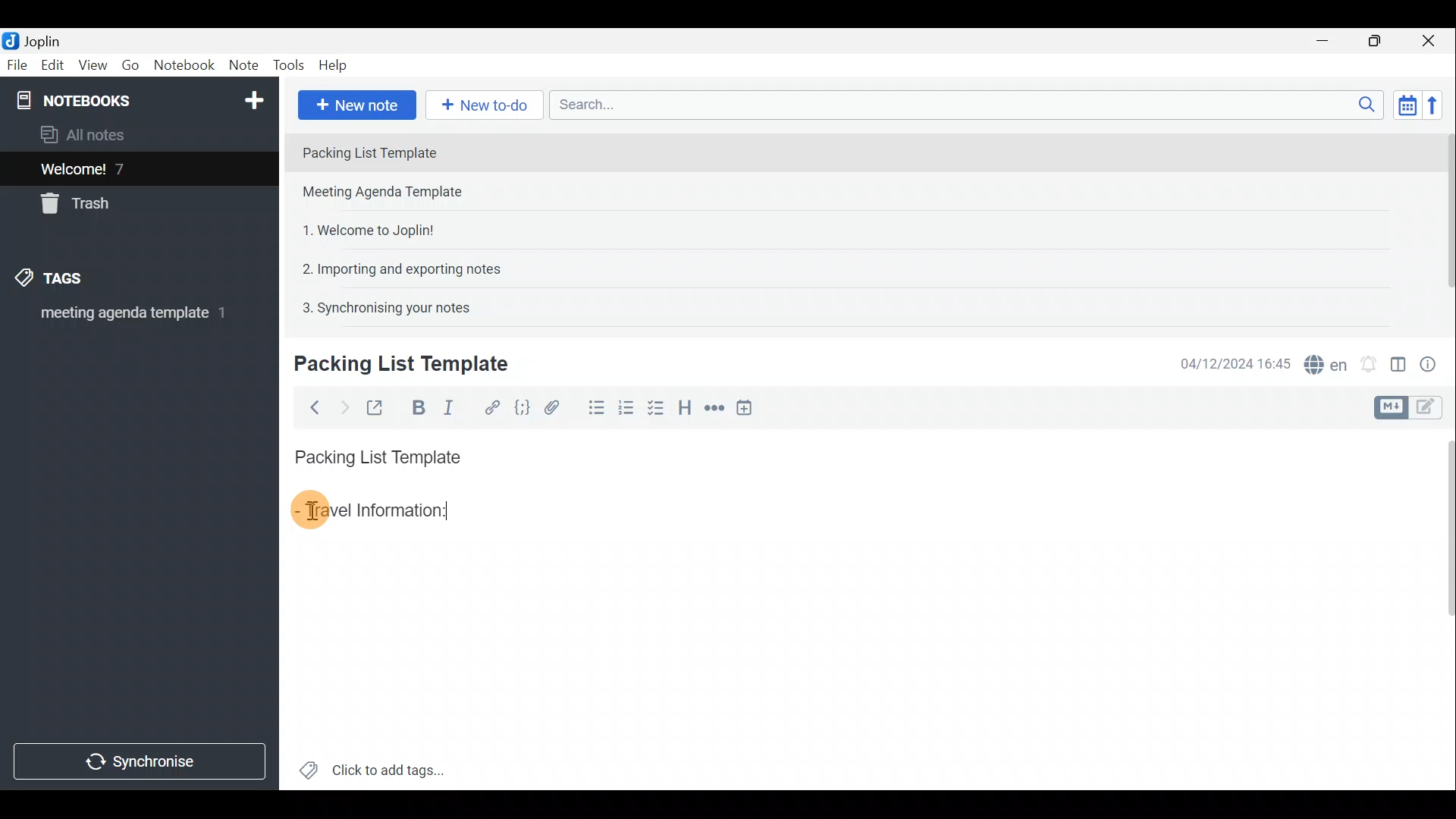 The image size is (1456, 819). What do you see at coordinates (137, 99) in the screenshot?
I see `Notebook` at bounding box center [137, 99].